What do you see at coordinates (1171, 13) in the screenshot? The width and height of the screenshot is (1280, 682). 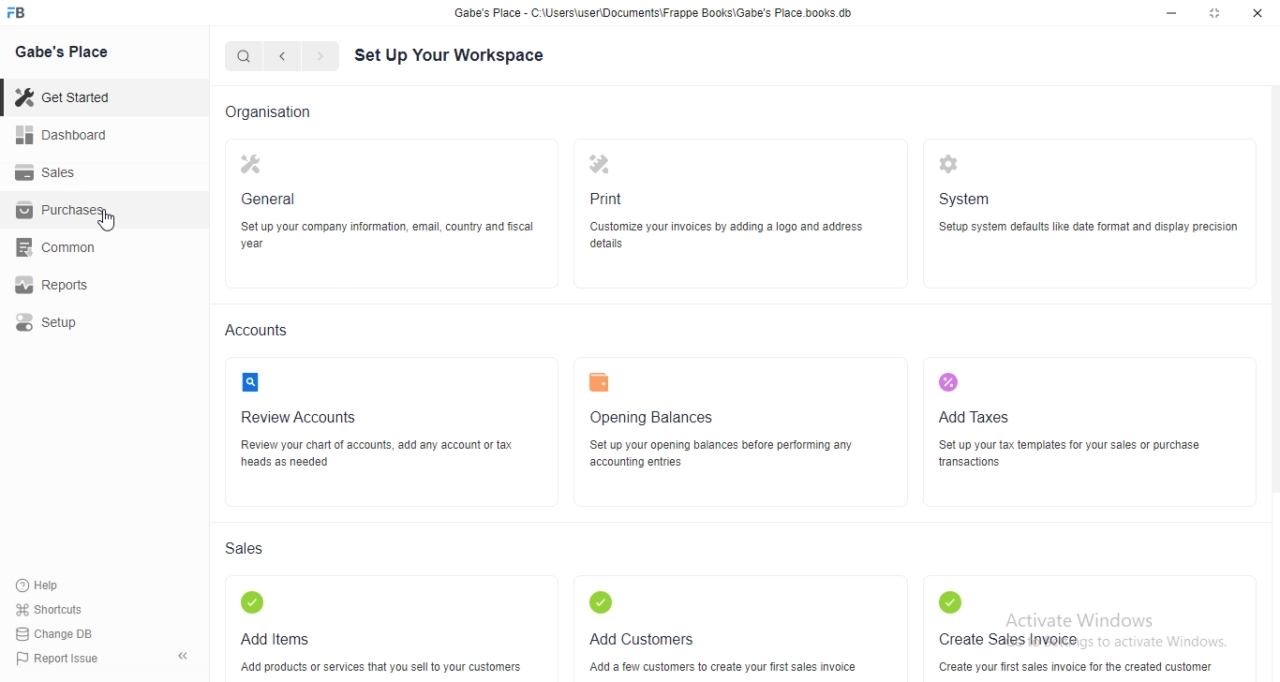 I see `Minimize` at bounding box center [1171, 13].